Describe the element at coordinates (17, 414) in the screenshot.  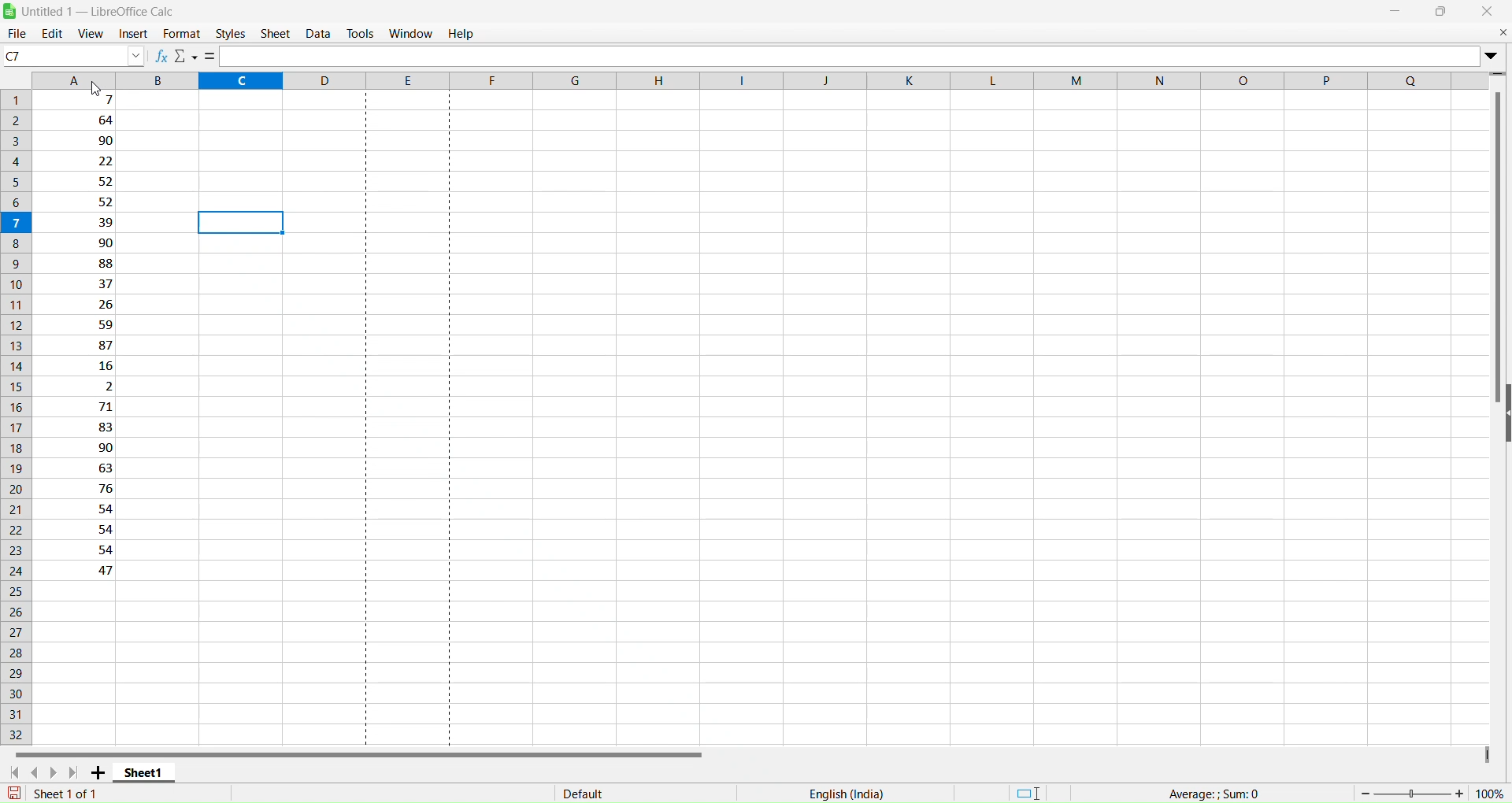
I see `Row Labels` at that location.